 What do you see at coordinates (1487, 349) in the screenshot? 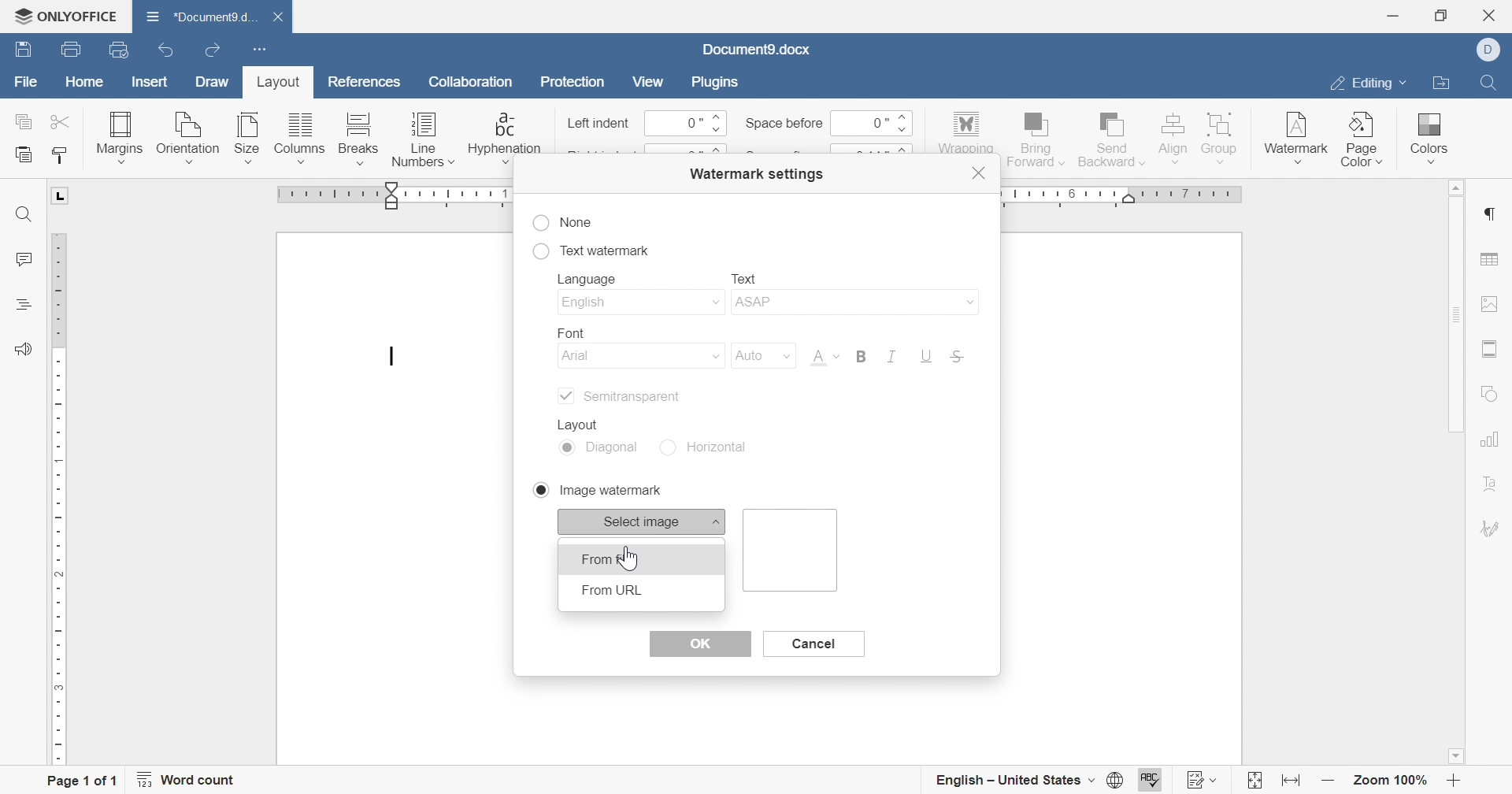
I see `header and footer settings` at bounding box center [1487, 349].